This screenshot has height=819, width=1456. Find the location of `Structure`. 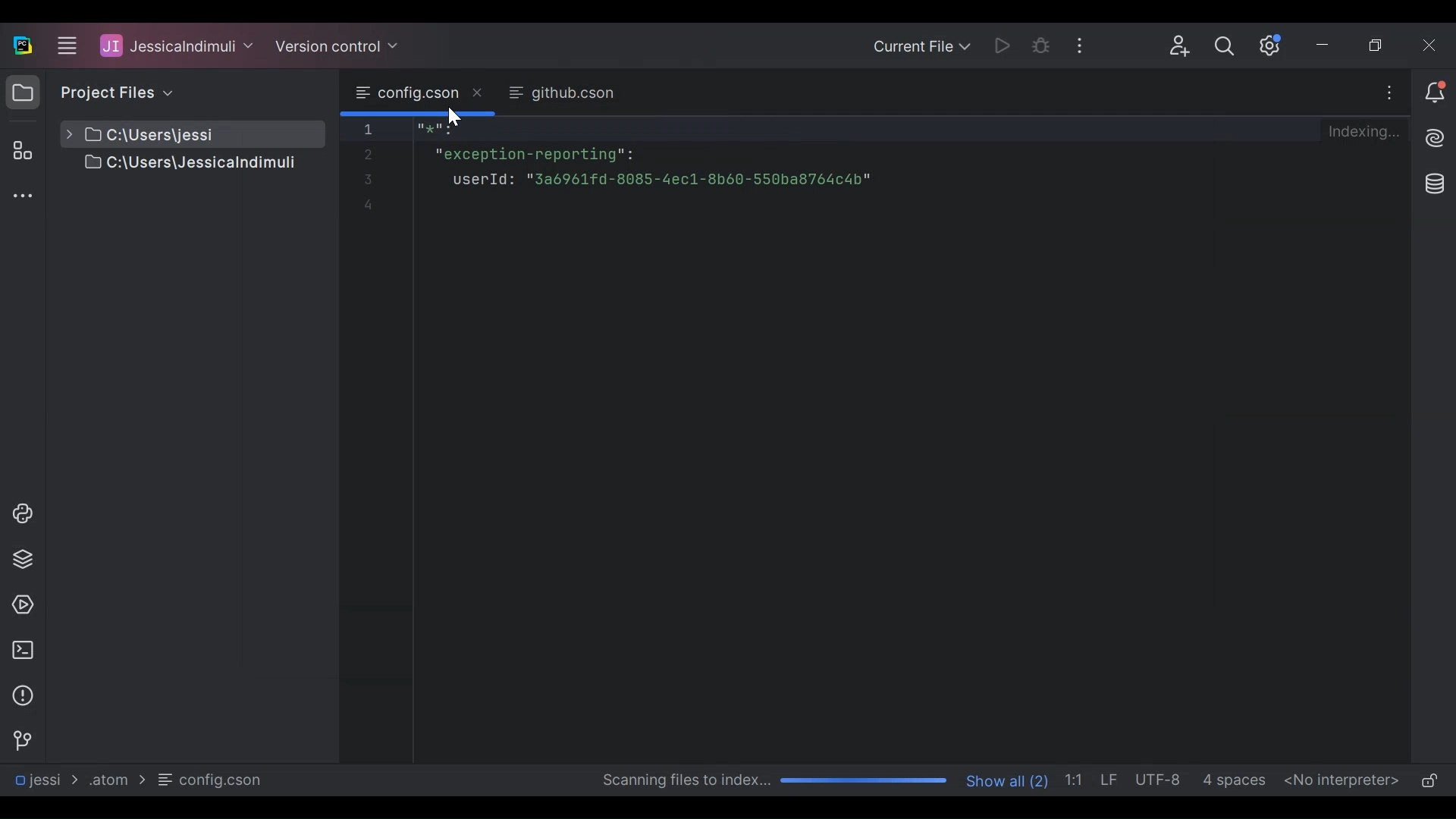

Structure is located at coordinates (20, 150).